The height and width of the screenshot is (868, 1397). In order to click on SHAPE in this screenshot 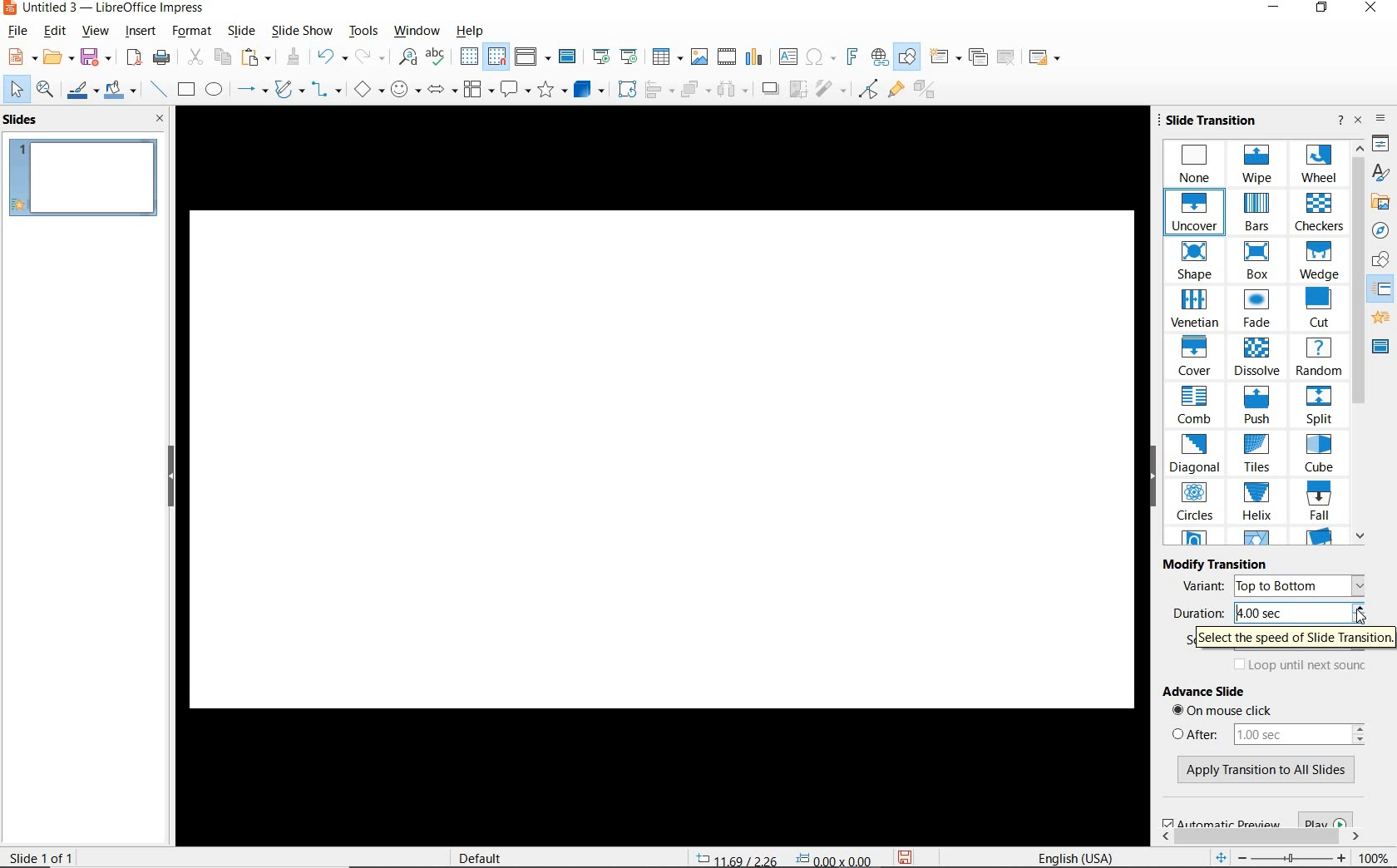, I will do `click(1195, 261)`.